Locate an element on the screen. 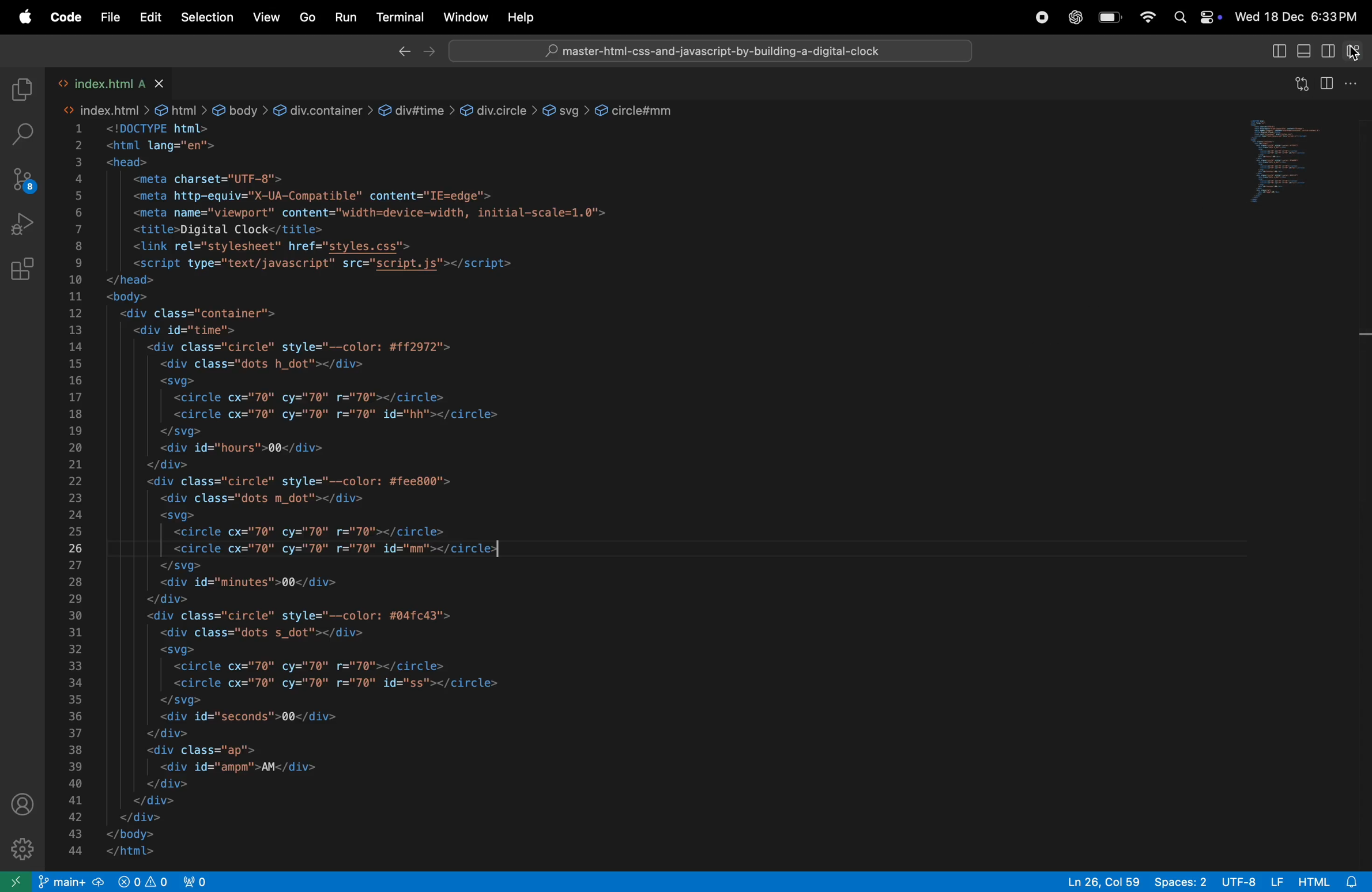 This screenshot has width=1372, height=892. file is located at coordinates (108, 17).